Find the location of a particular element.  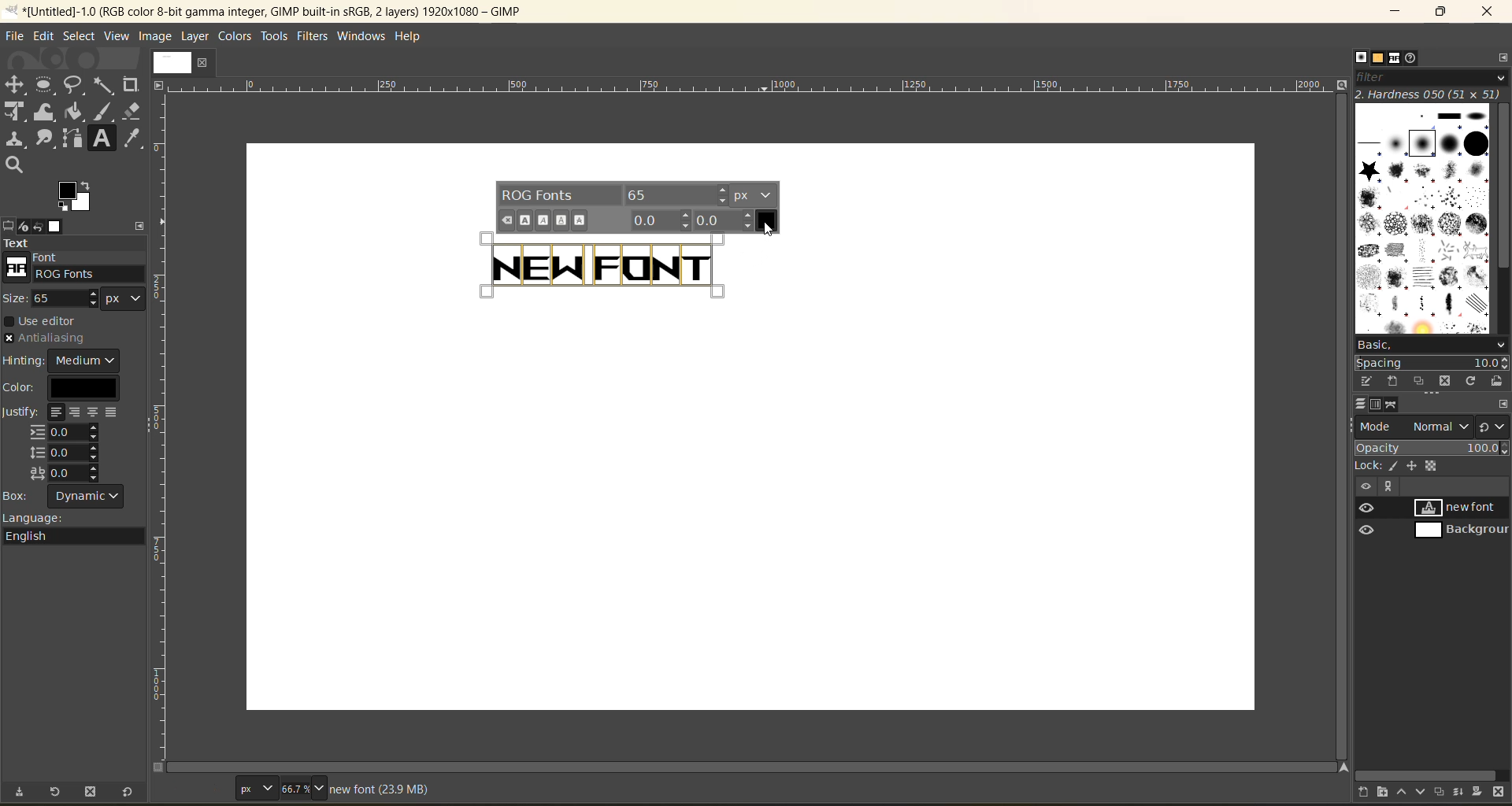

vertical scroll bar is located at coordinates (1503, 189).